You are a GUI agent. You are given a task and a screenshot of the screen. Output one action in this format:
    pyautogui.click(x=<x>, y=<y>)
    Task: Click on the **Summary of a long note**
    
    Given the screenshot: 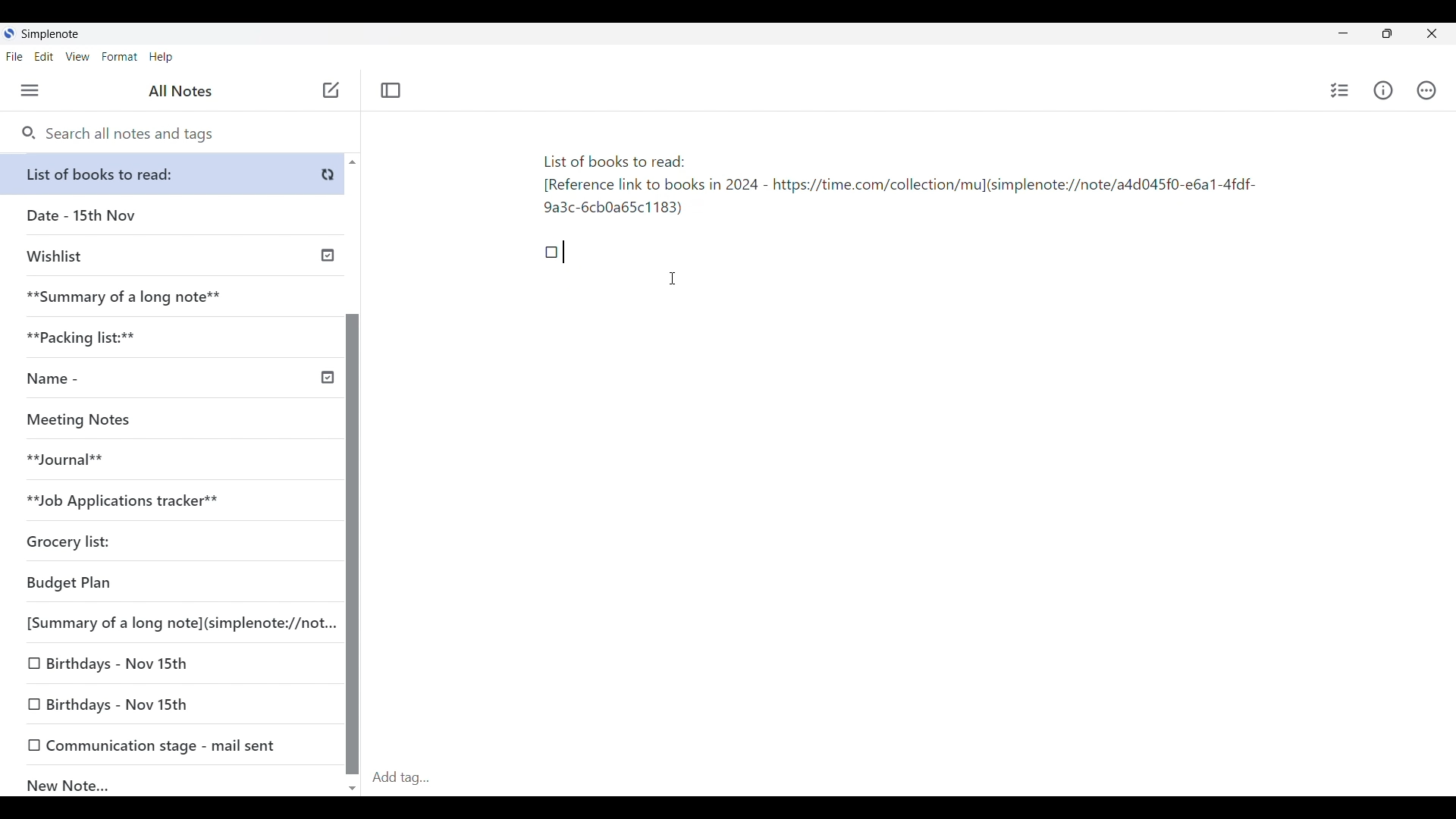 What is the action you would take?
    pyautogui.click(x=172, y=297)
    